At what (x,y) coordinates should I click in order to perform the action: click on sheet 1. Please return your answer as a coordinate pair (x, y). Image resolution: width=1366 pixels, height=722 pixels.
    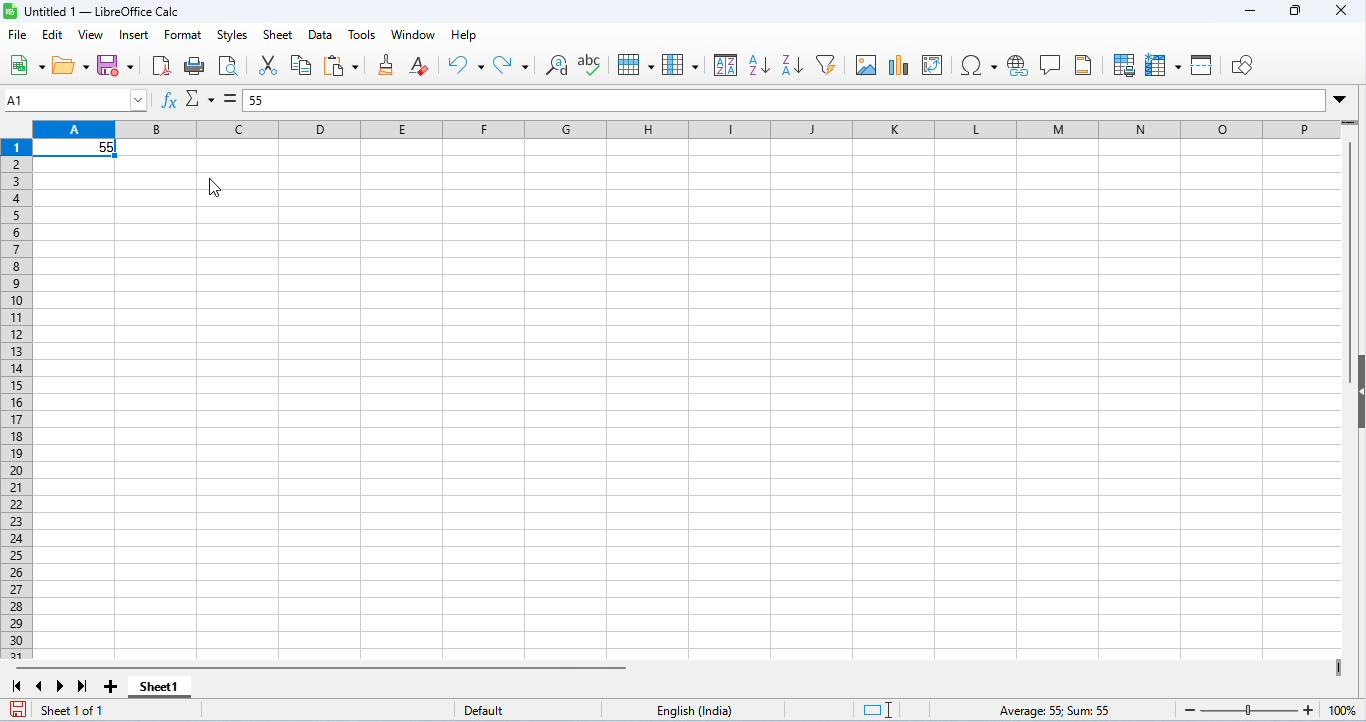
    Looking at the image, I should click on (162, 686).